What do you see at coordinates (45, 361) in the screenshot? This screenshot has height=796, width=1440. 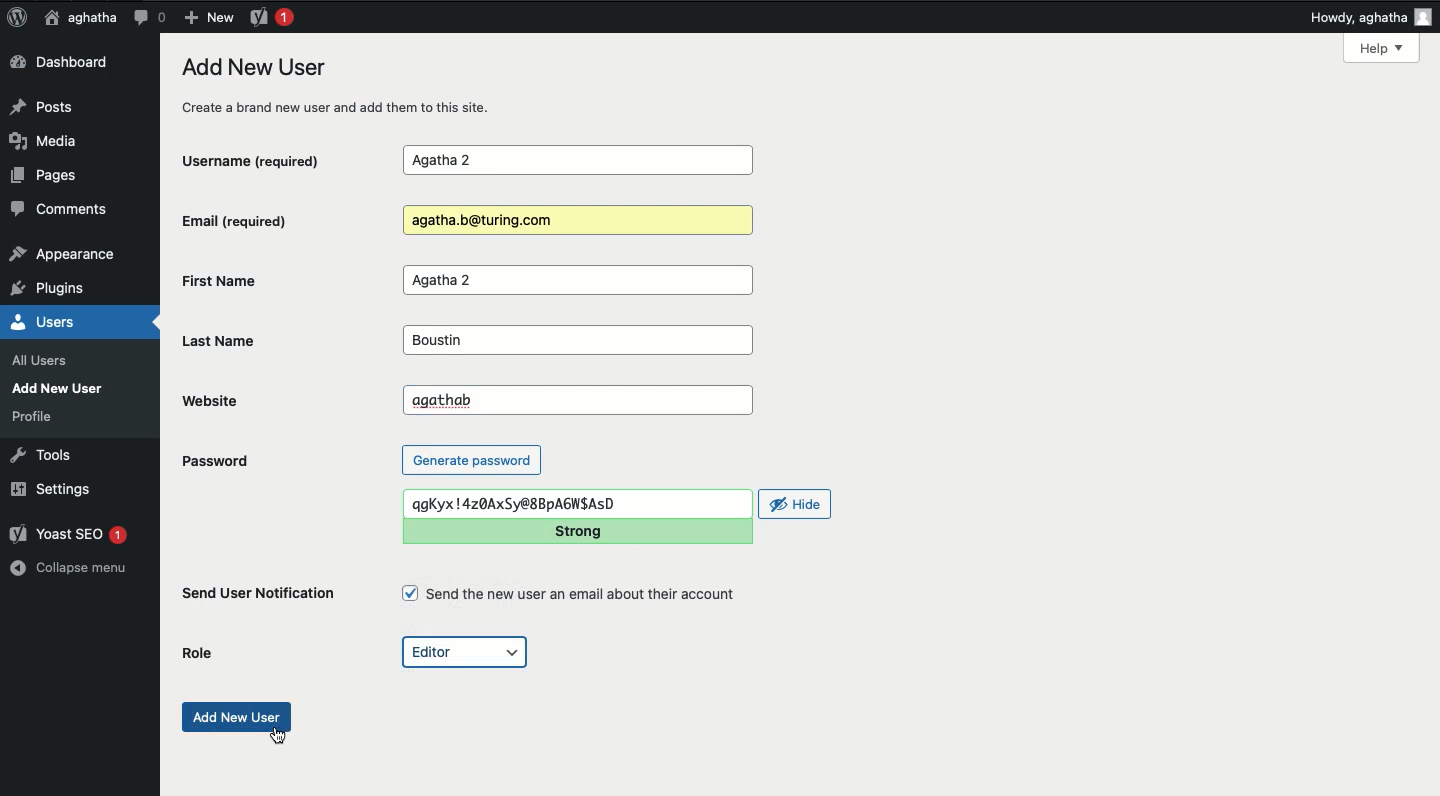 I see `all users` at bounding box center [45, 361].